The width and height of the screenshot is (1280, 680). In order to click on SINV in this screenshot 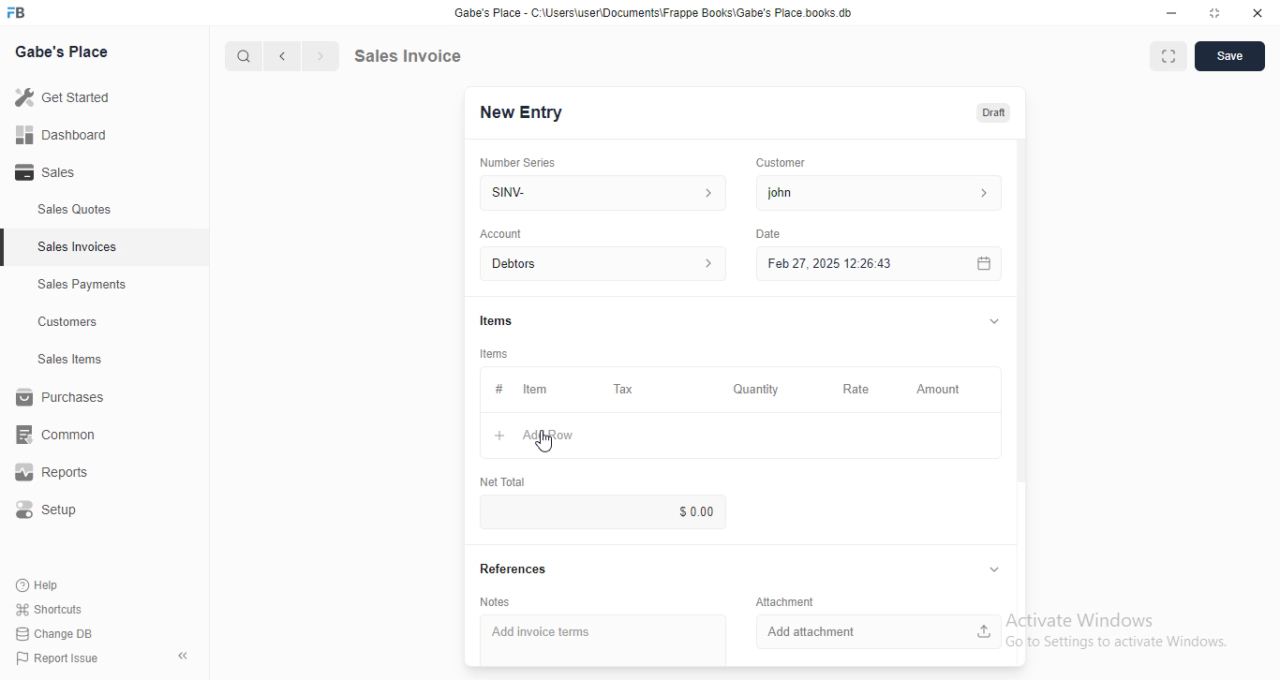, I will do `click(597, 193)`.